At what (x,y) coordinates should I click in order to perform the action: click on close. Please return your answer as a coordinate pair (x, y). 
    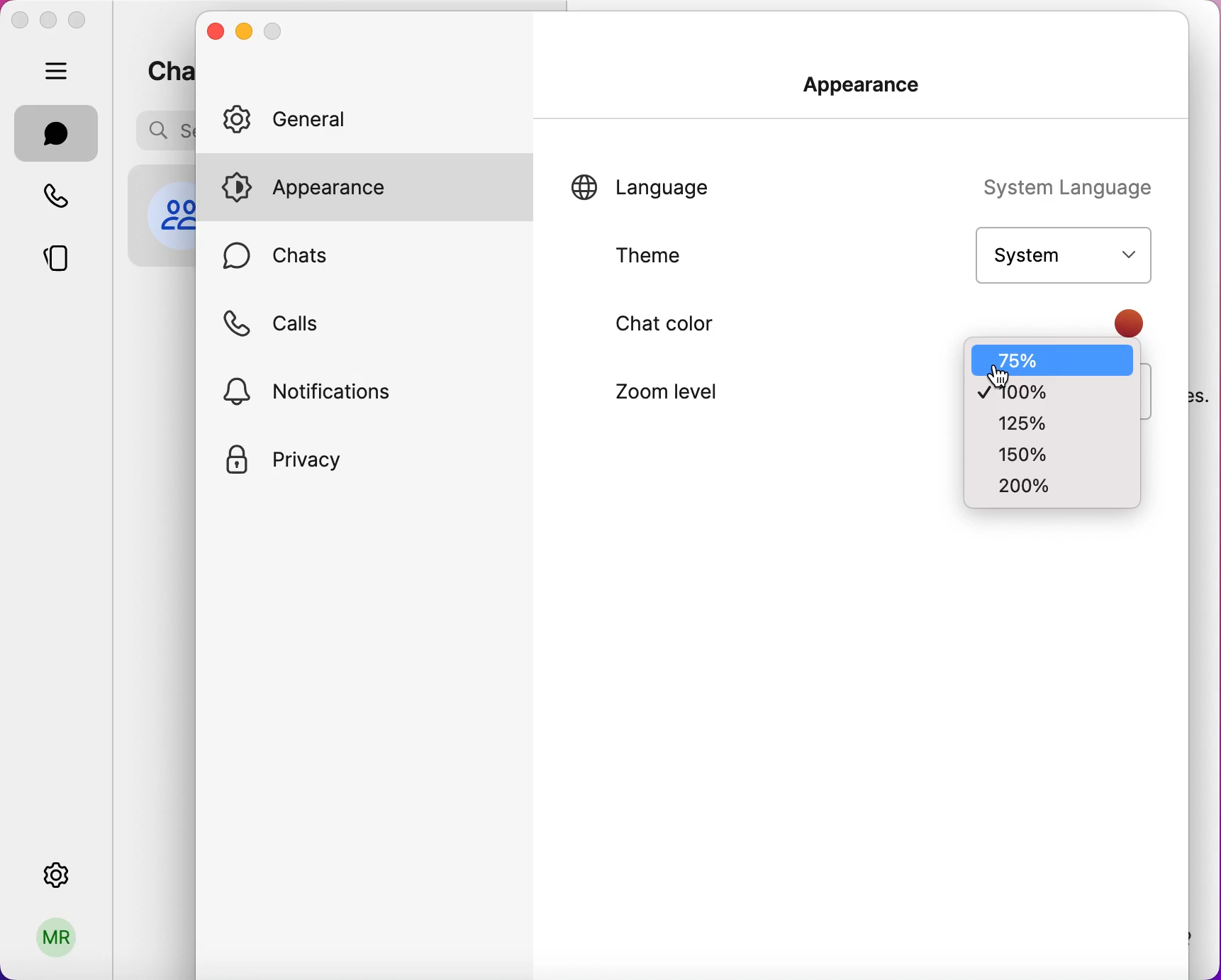
    Looking at the image, I should click on (20, 18).